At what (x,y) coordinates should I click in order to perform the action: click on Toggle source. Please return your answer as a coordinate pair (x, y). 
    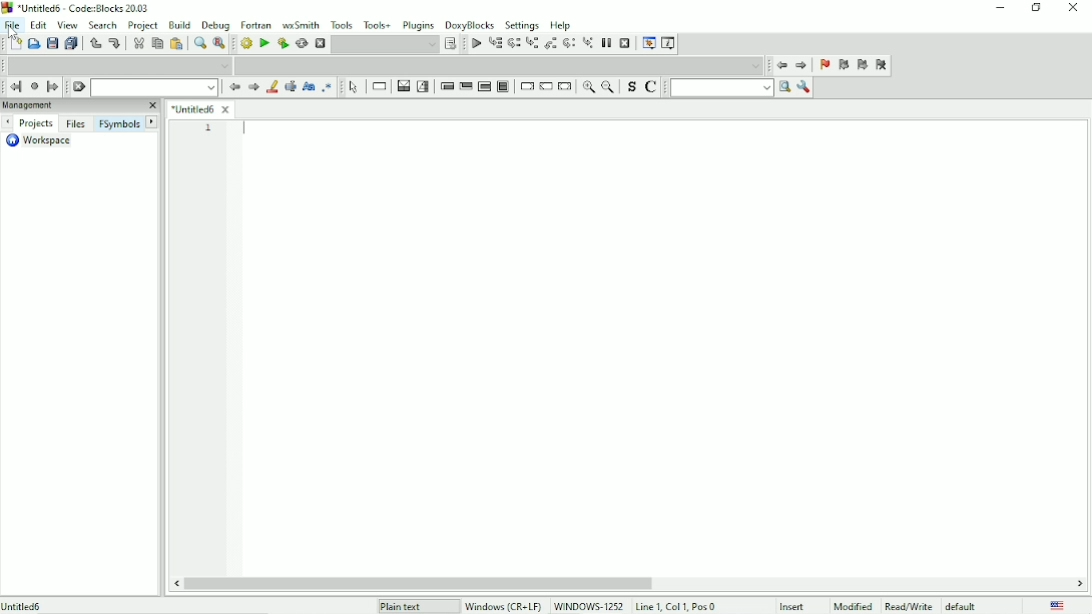
    Looking at the image, I should click on (630, 87).